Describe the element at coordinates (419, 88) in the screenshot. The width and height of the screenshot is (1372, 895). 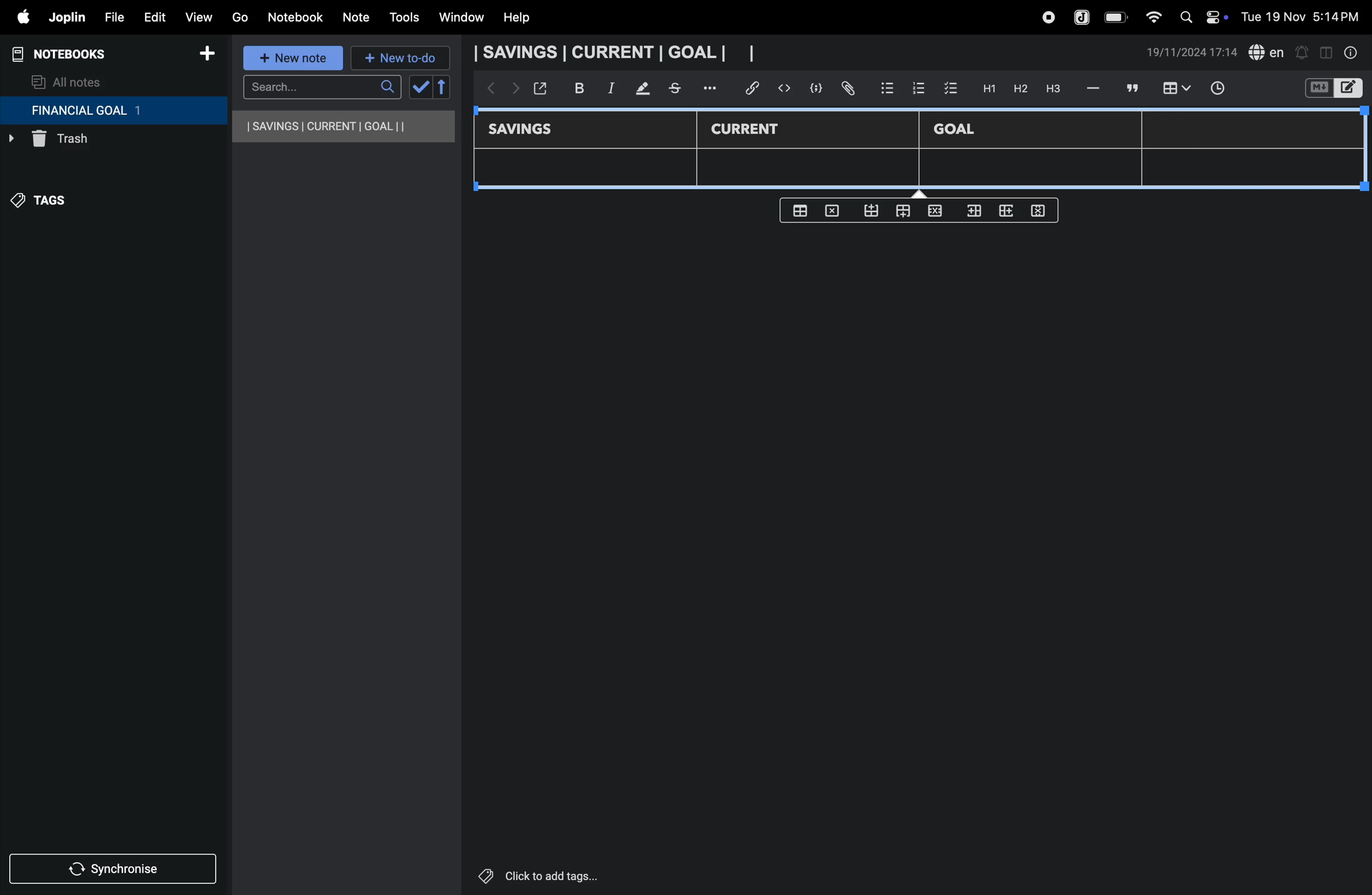
I see `check` at that location.